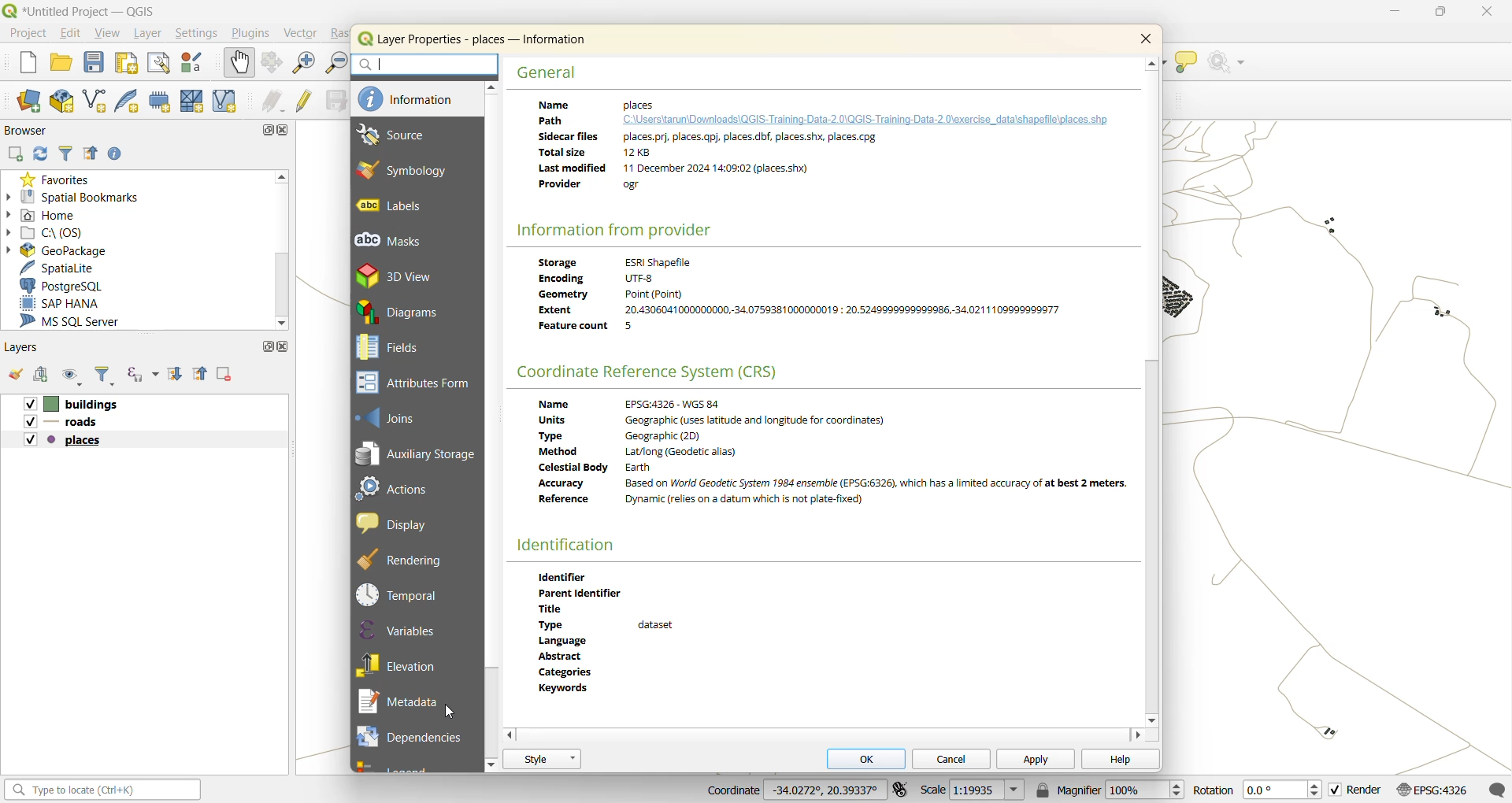 Image resolution: width=1512 pixels, height=803 pixels. What do you see at coordinates (267, 348) in the screenshot?
I see `maximize` at bounding box center [267, 348].